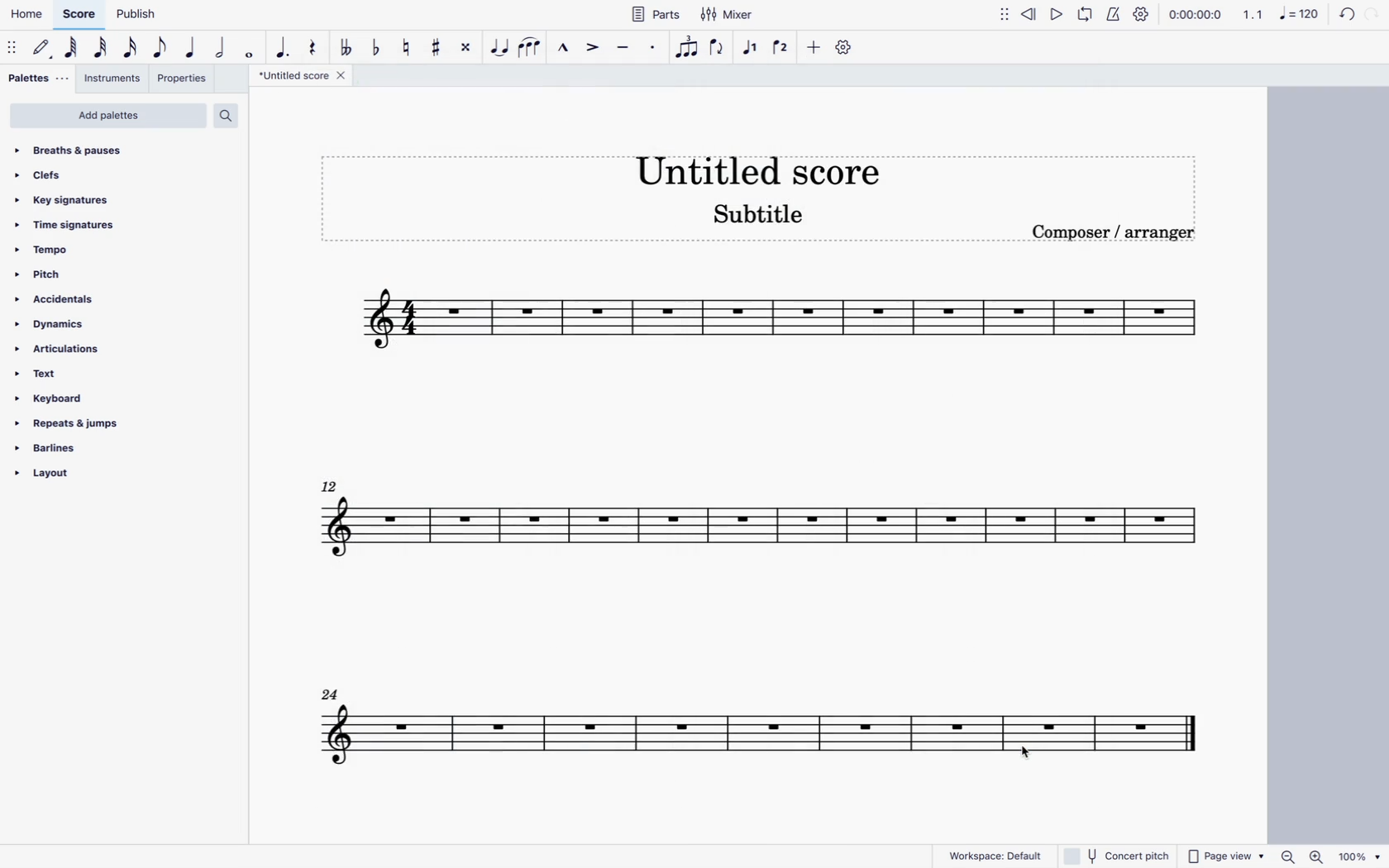  I want to click on text, so click(45, 374).